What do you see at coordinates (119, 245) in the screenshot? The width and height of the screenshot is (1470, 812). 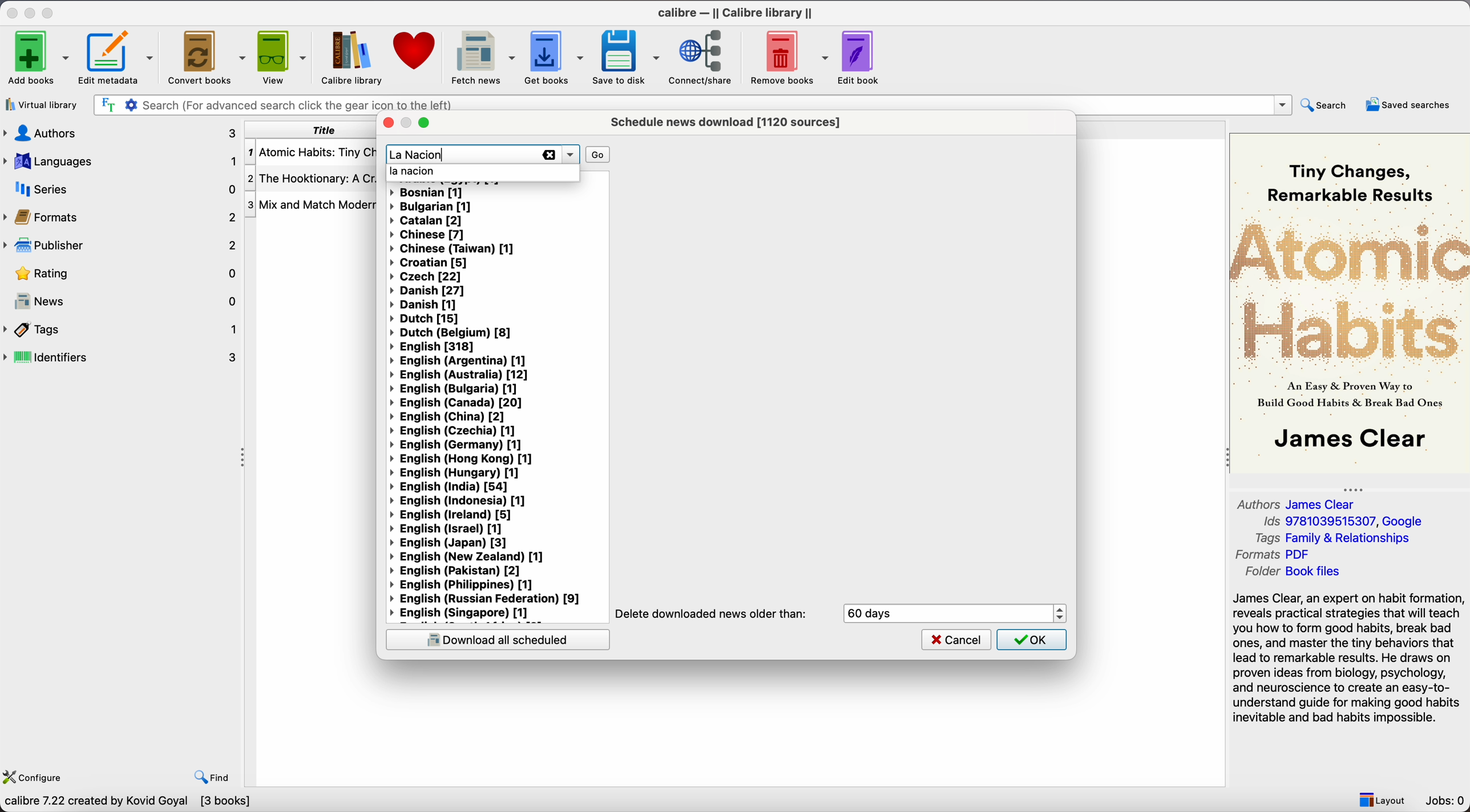 I see `publisher` at bounding box center [119, 245].